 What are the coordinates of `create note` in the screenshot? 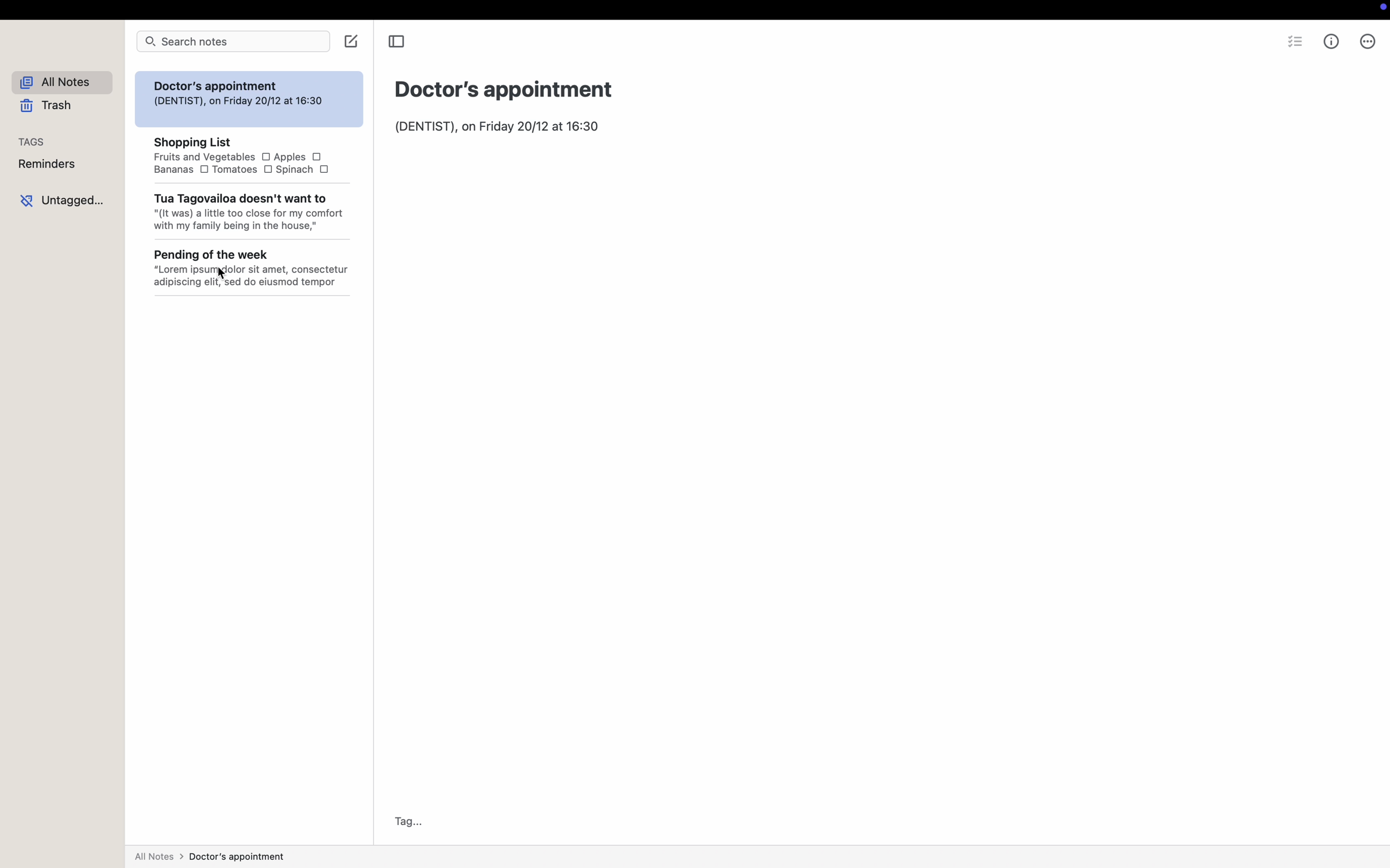 It's located at (353, 41).